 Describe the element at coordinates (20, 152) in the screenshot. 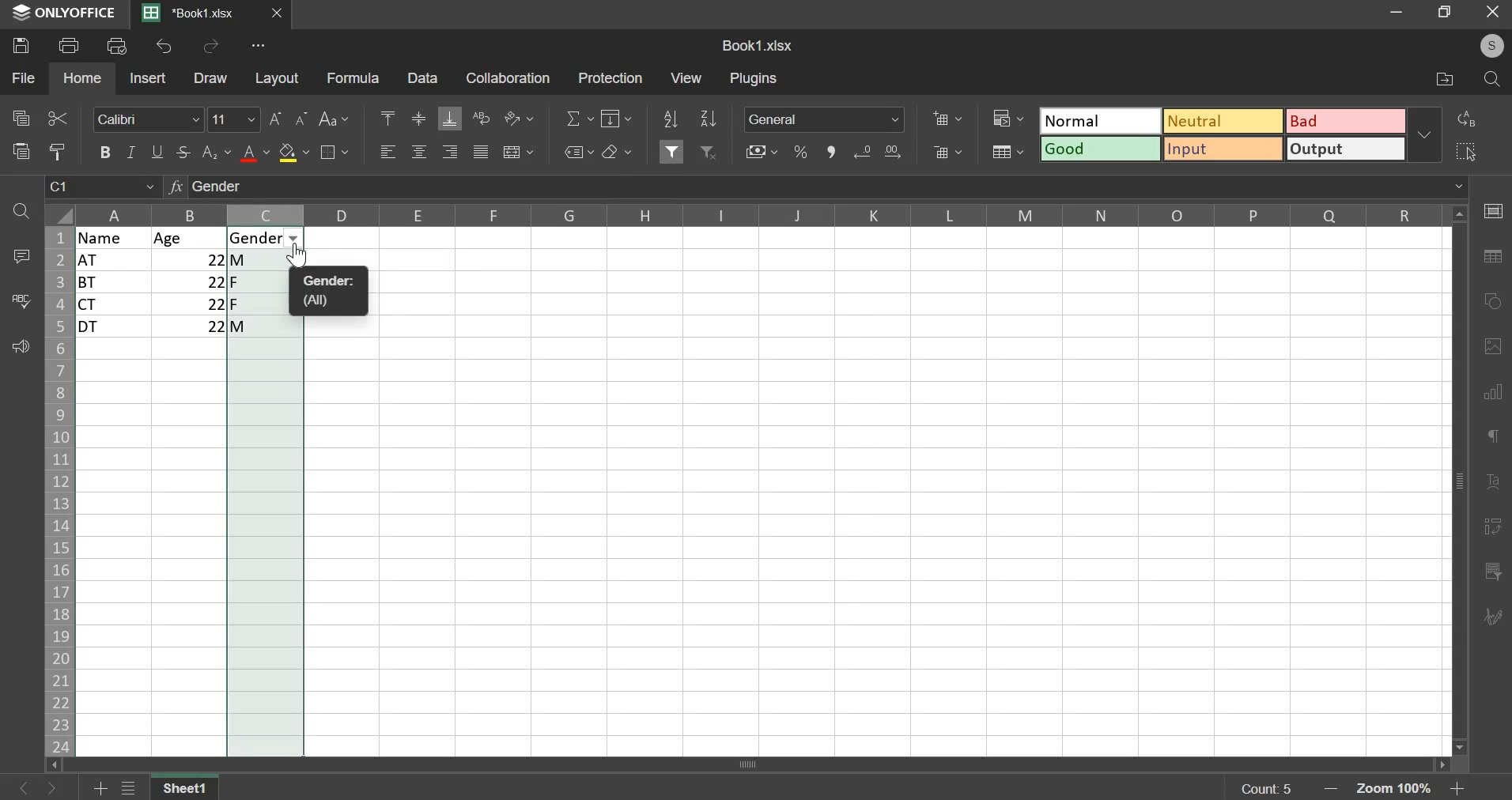

I see `paste` at that location.